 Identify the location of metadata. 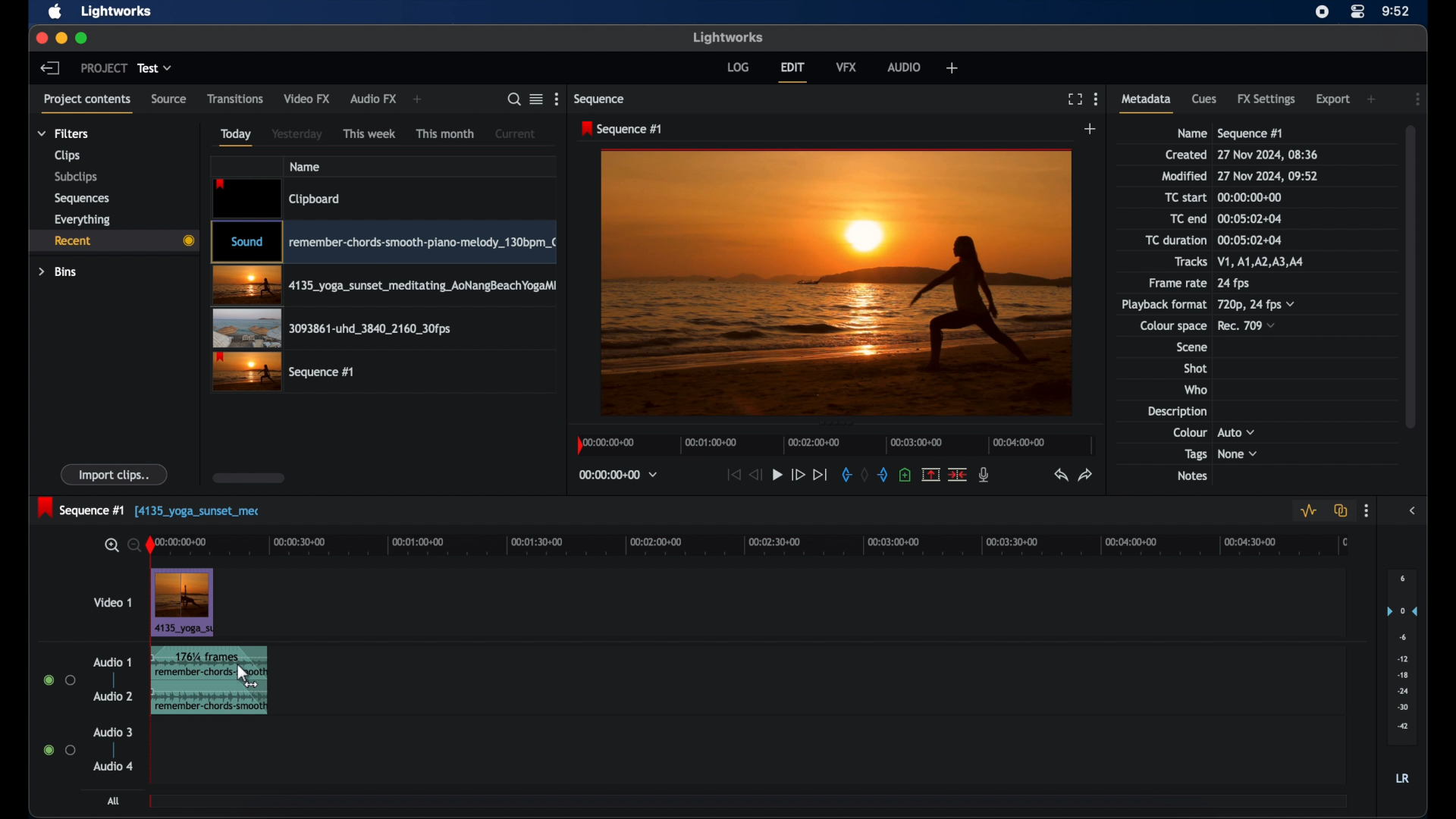
(1147, 102).